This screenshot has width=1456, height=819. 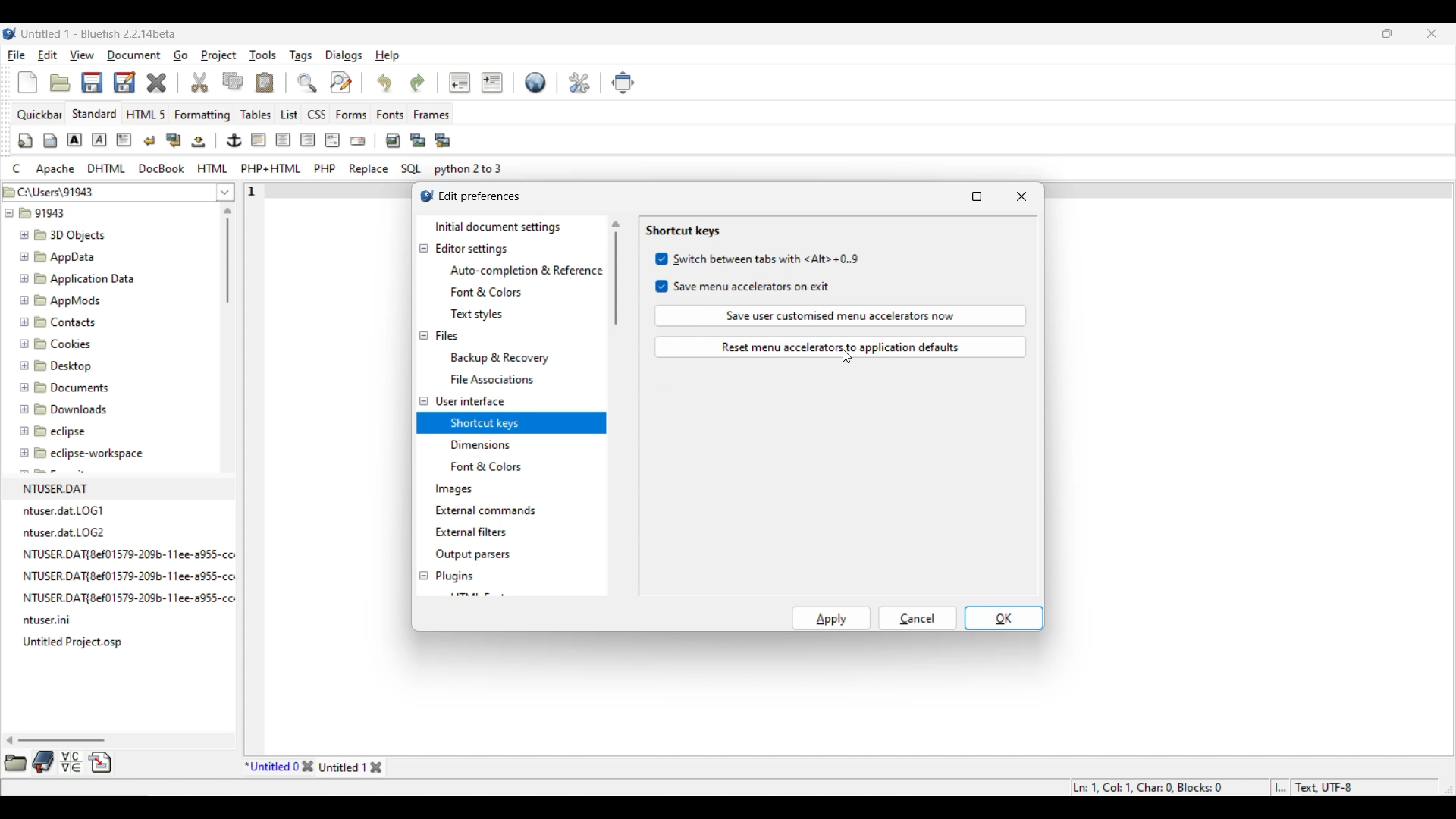 I want to click on Documents, so click(x=72, y=386).